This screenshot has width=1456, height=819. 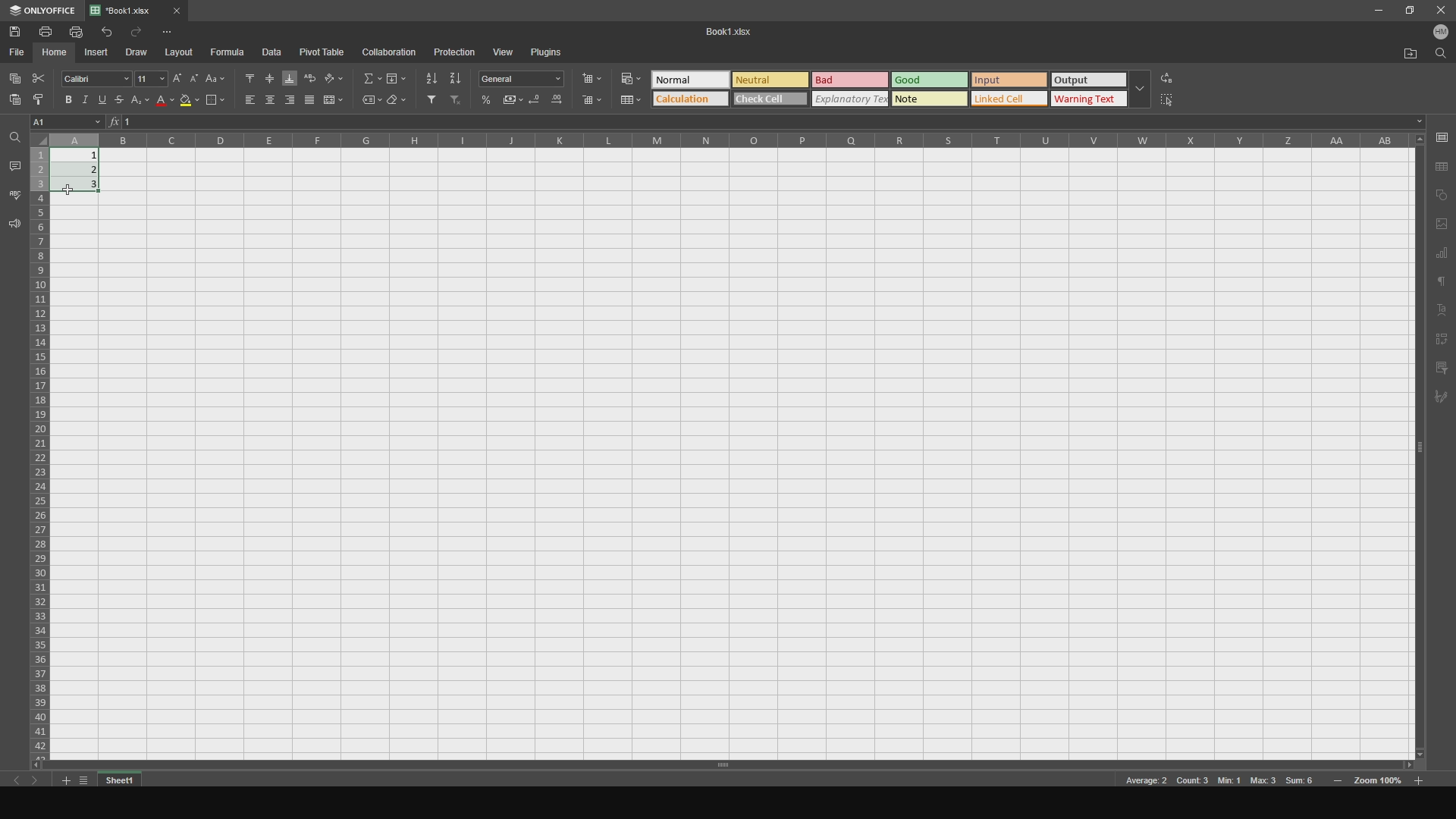 What do you see at coordinates (141, 52) in the screenshot?
I see `draw` at bounding box center [141, 52].